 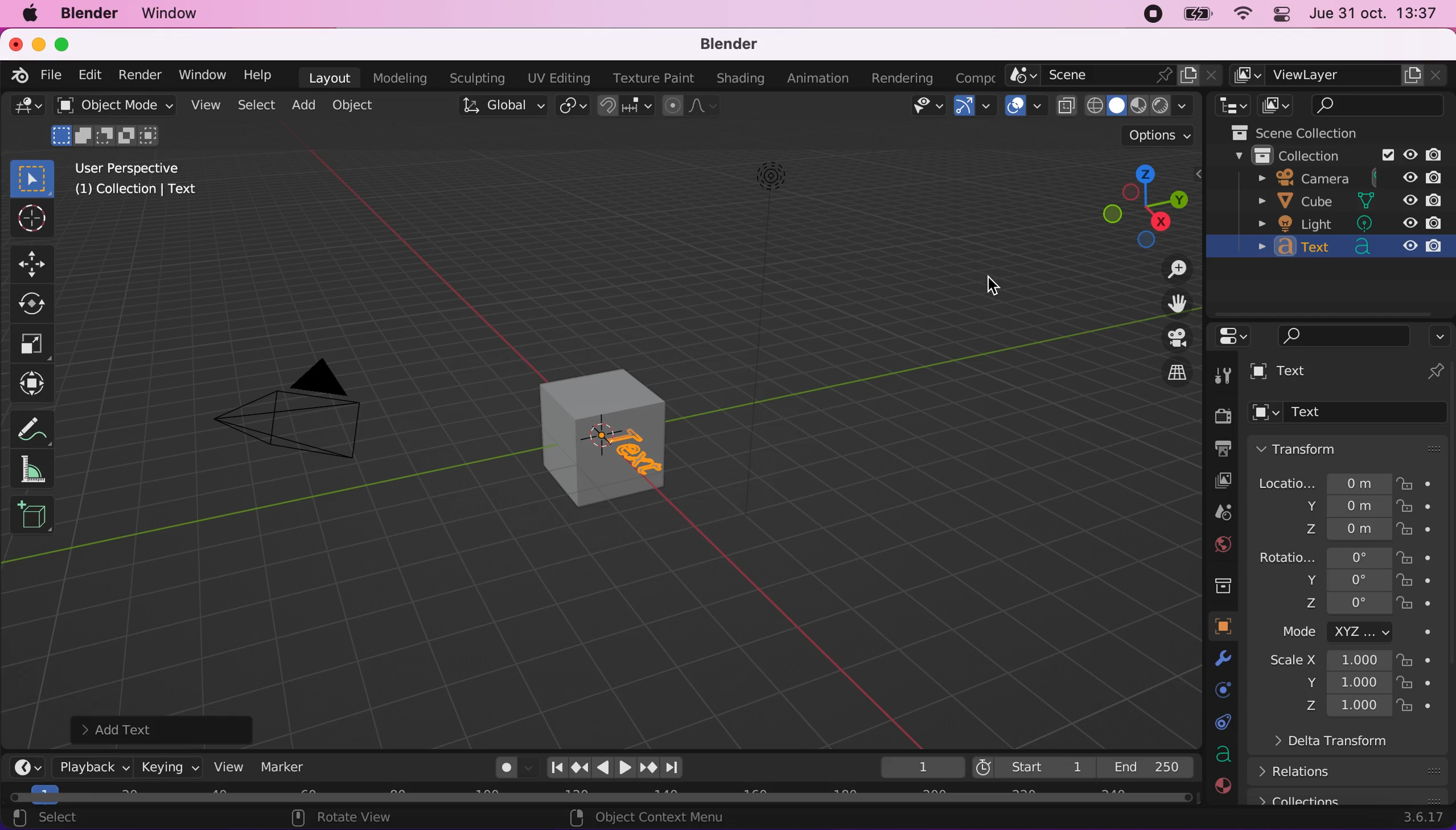 I want to click on view, so click(x=227, y=767).